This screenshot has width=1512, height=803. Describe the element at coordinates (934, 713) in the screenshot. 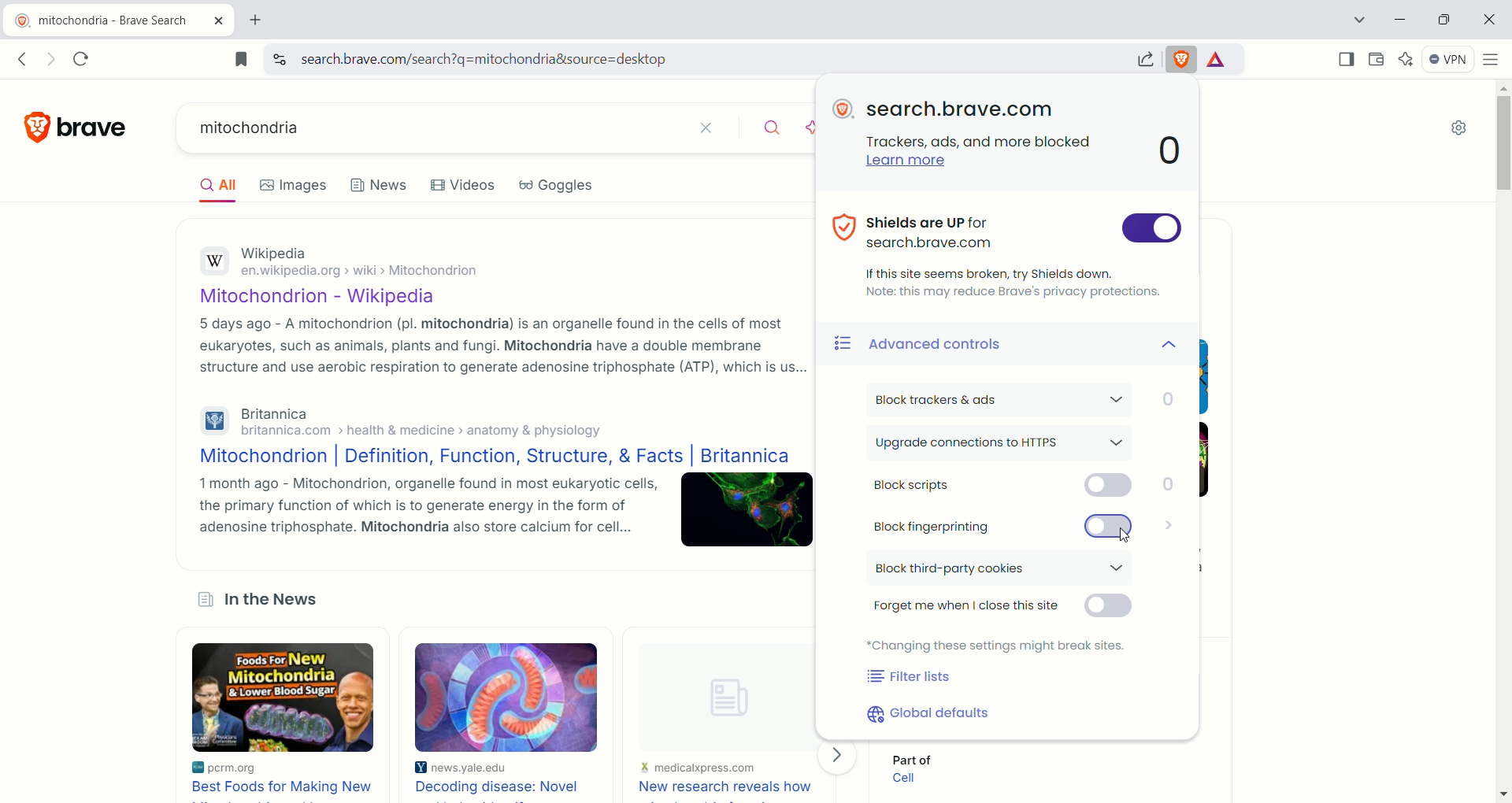

I see `global default` at that location.